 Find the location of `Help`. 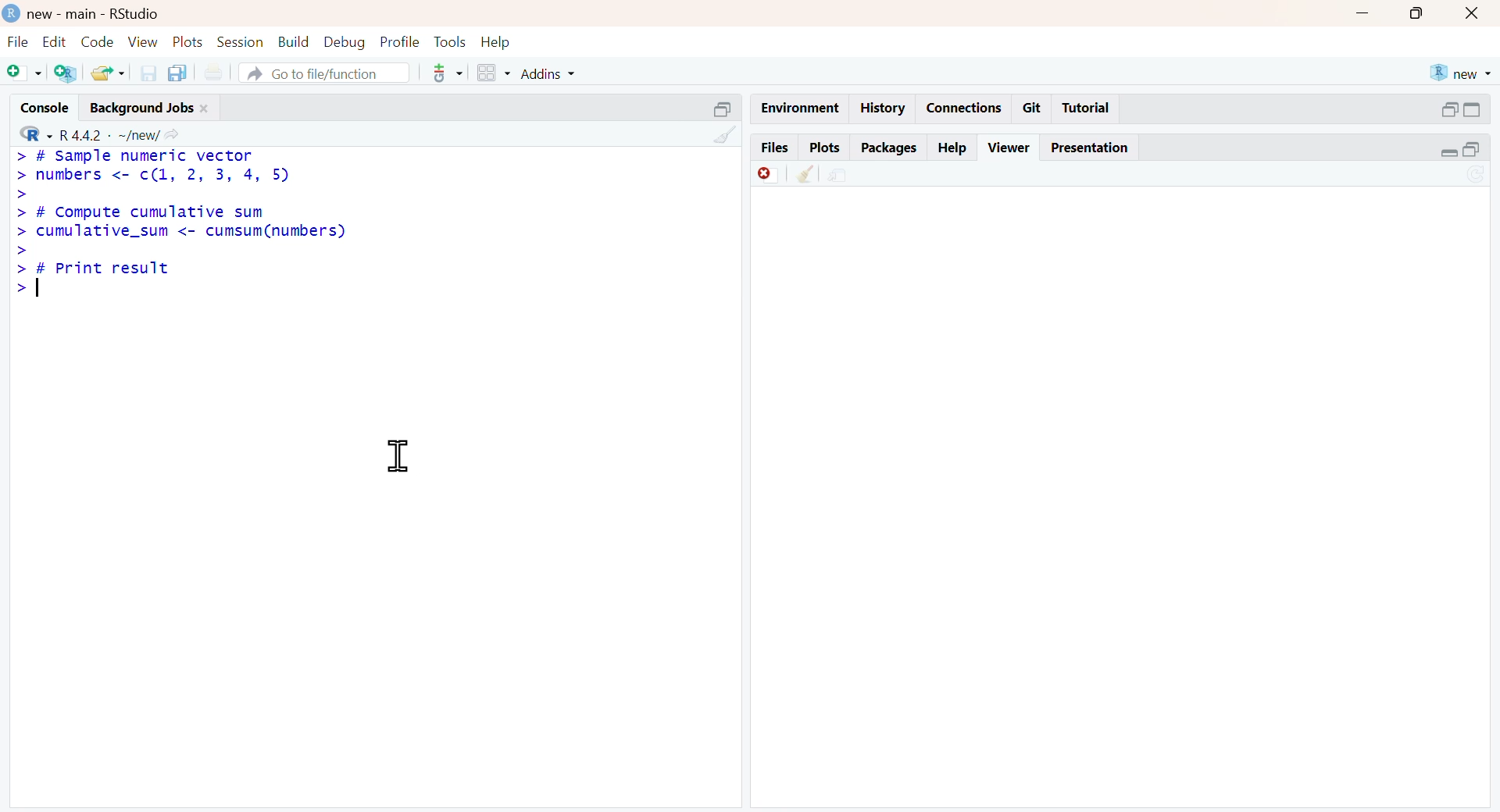

Help is located at coordinates (950, 148).